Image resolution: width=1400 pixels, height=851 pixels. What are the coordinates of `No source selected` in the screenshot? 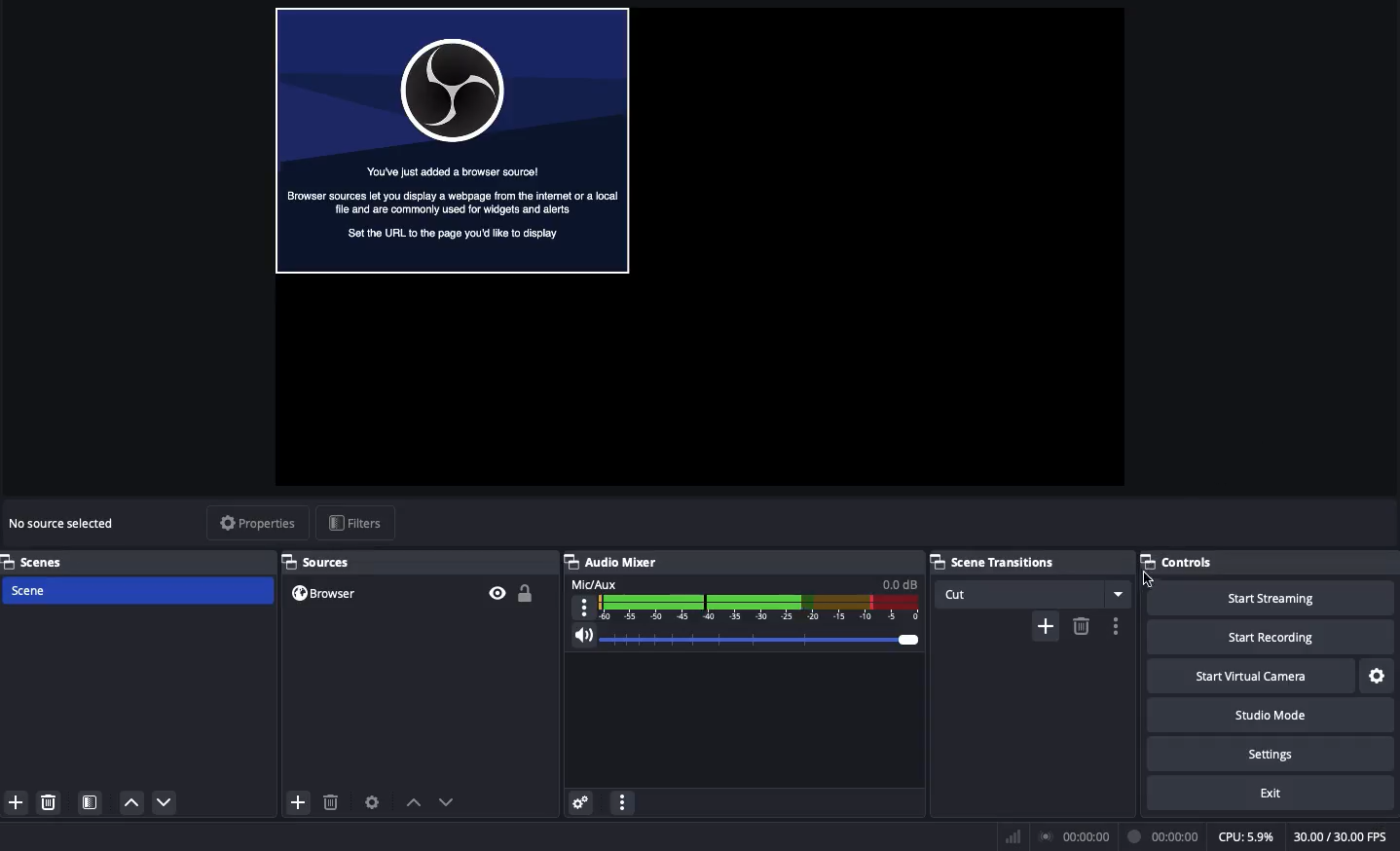 It's located at (61, 523).